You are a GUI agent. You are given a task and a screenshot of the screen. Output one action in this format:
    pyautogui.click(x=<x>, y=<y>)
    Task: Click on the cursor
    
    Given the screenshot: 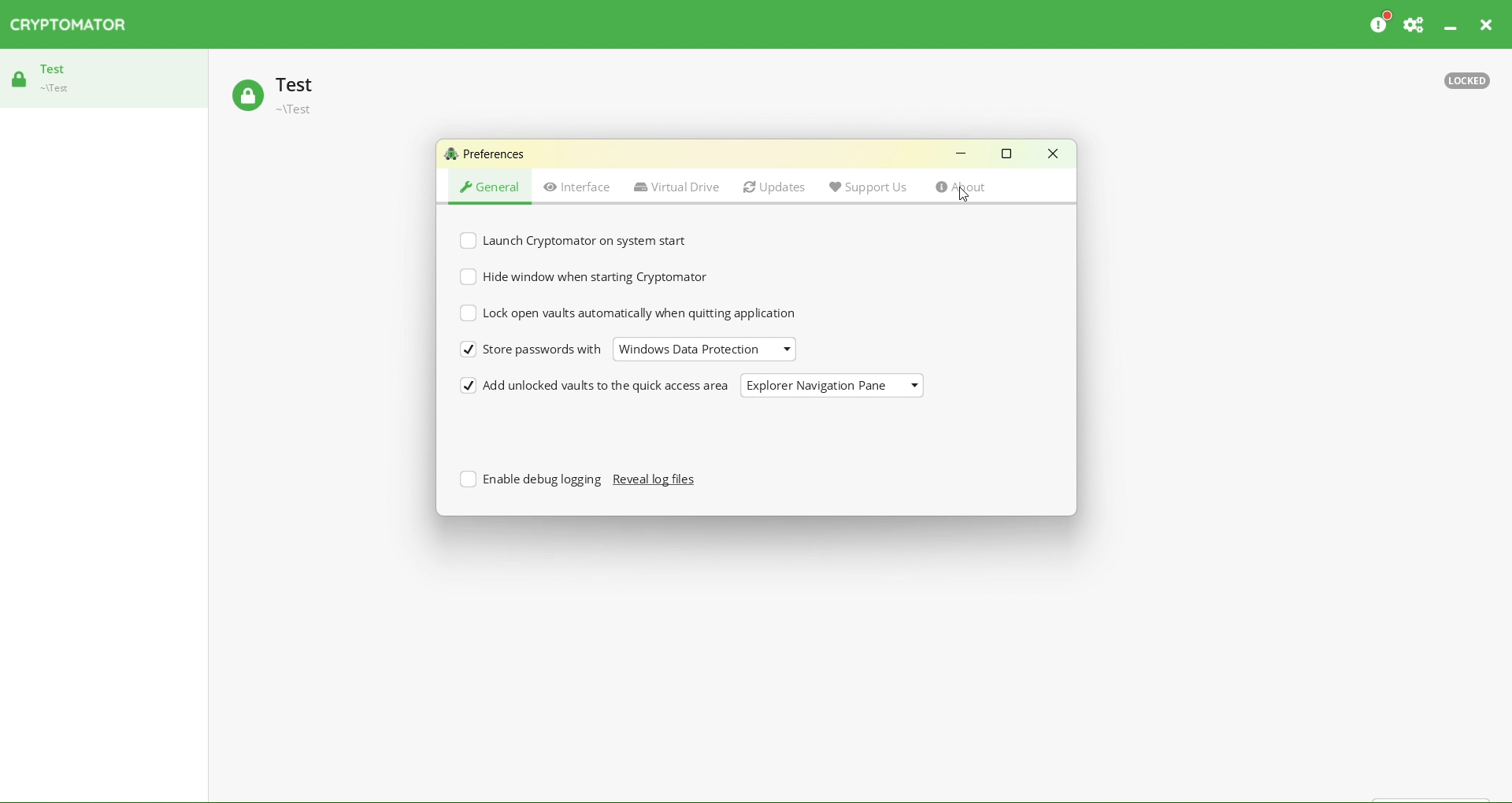 What is the action you would take?
    pyautogui.click(x=965, y=198)
    